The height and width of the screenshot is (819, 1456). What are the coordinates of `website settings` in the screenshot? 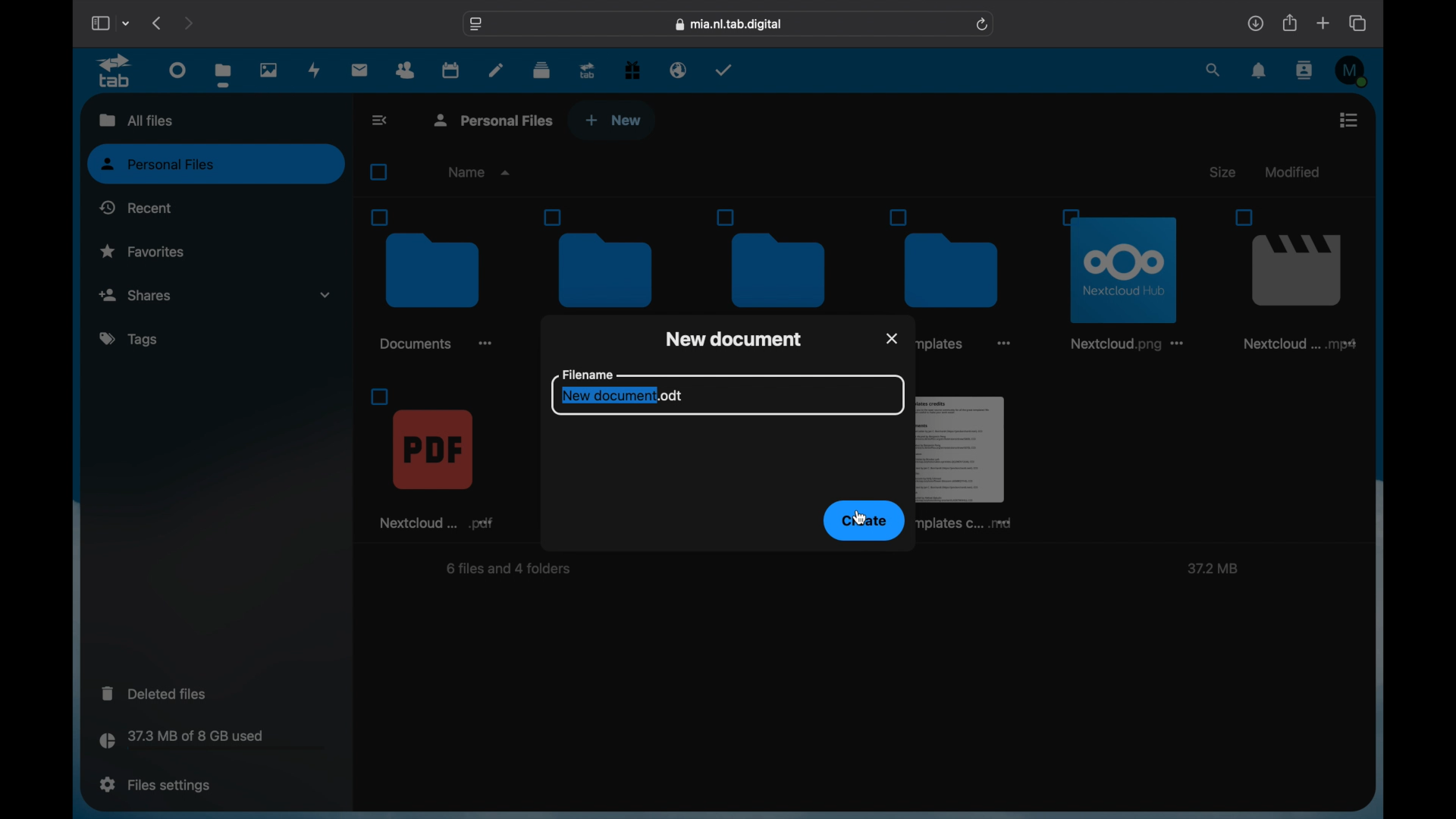 It's located at (476, 24).